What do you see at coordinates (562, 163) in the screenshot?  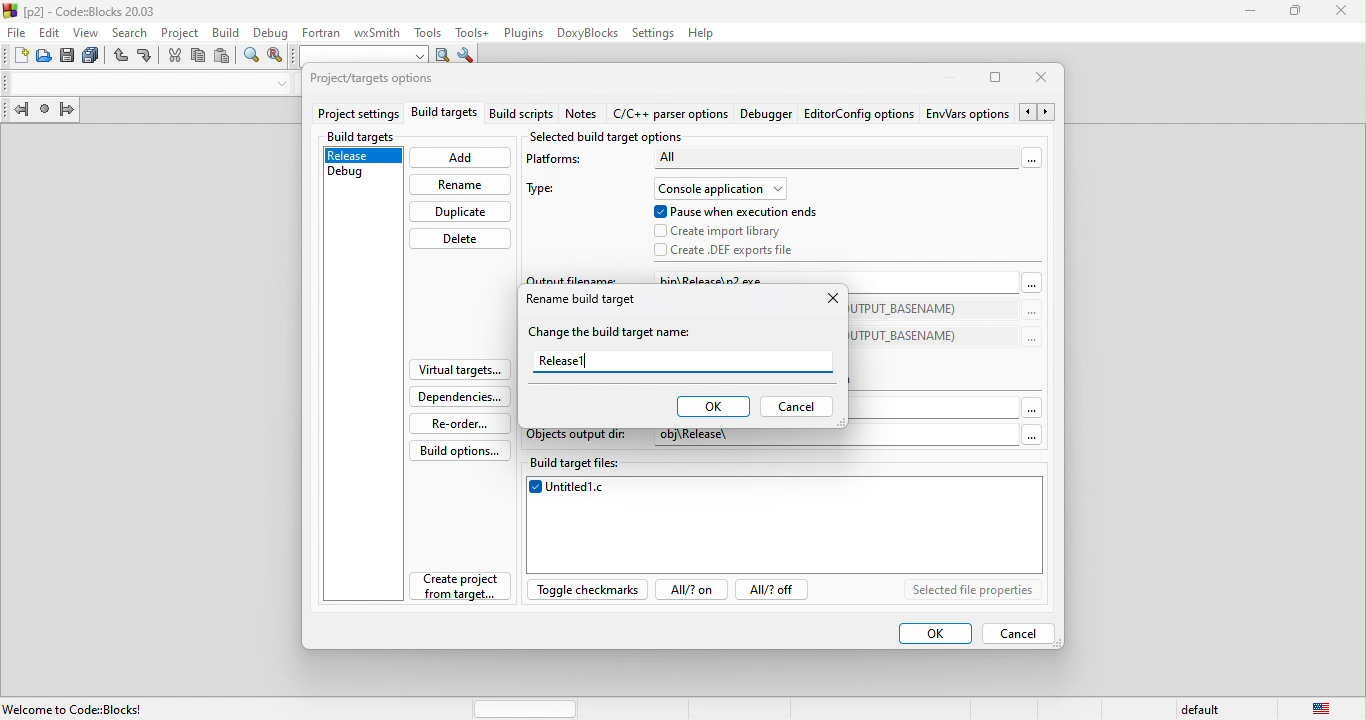 I see `platforms` at bounding box center [562, 163].